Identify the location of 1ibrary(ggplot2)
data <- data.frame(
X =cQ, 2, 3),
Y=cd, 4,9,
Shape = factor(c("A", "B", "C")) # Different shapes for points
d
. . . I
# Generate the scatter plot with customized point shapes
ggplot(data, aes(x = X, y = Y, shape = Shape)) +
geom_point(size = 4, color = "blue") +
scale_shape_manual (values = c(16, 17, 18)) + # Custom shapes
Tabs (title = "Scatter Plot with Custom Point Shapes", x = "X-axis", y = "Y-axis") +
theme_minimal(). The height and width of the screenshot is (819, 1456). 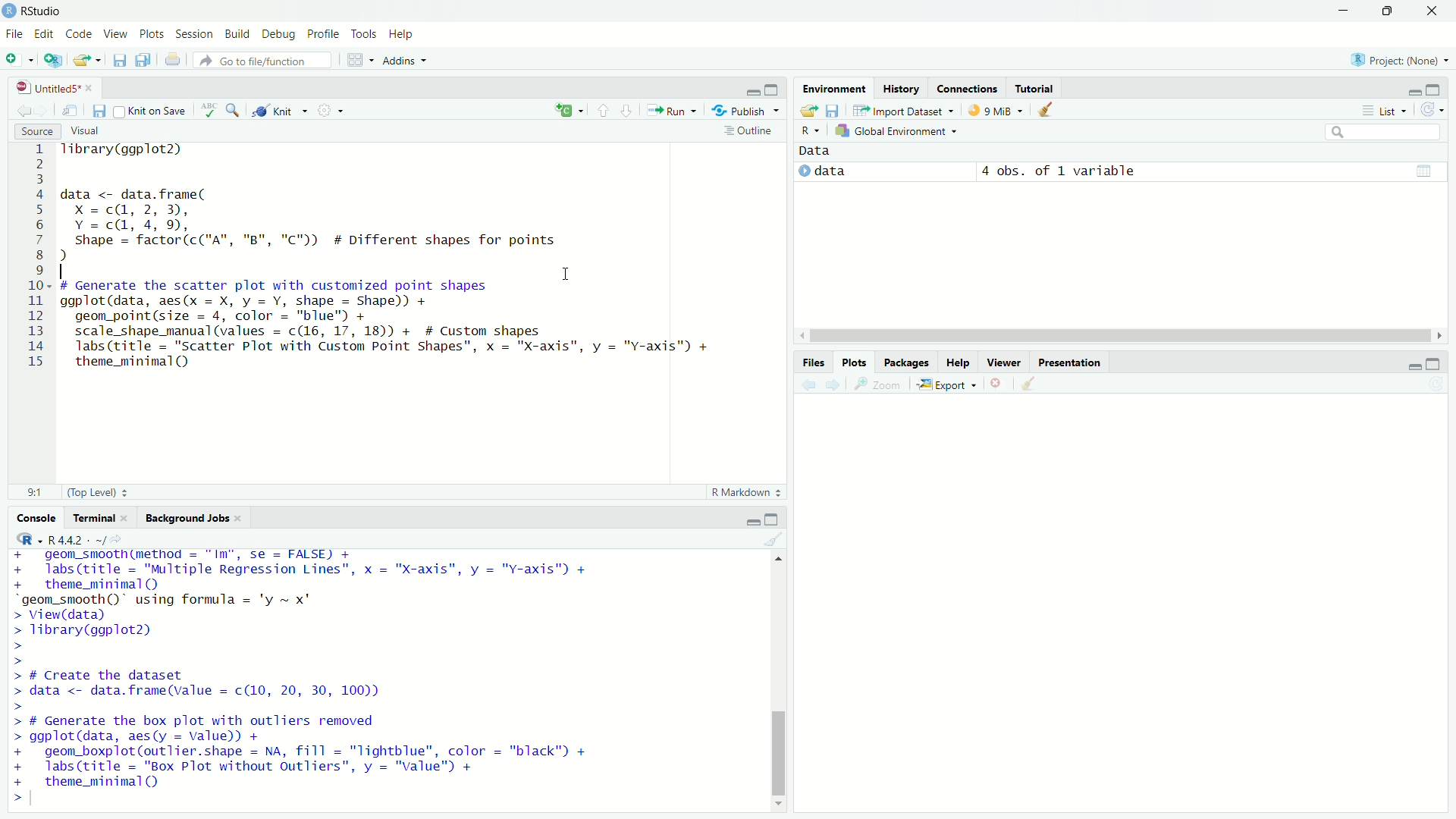
(388, 258).